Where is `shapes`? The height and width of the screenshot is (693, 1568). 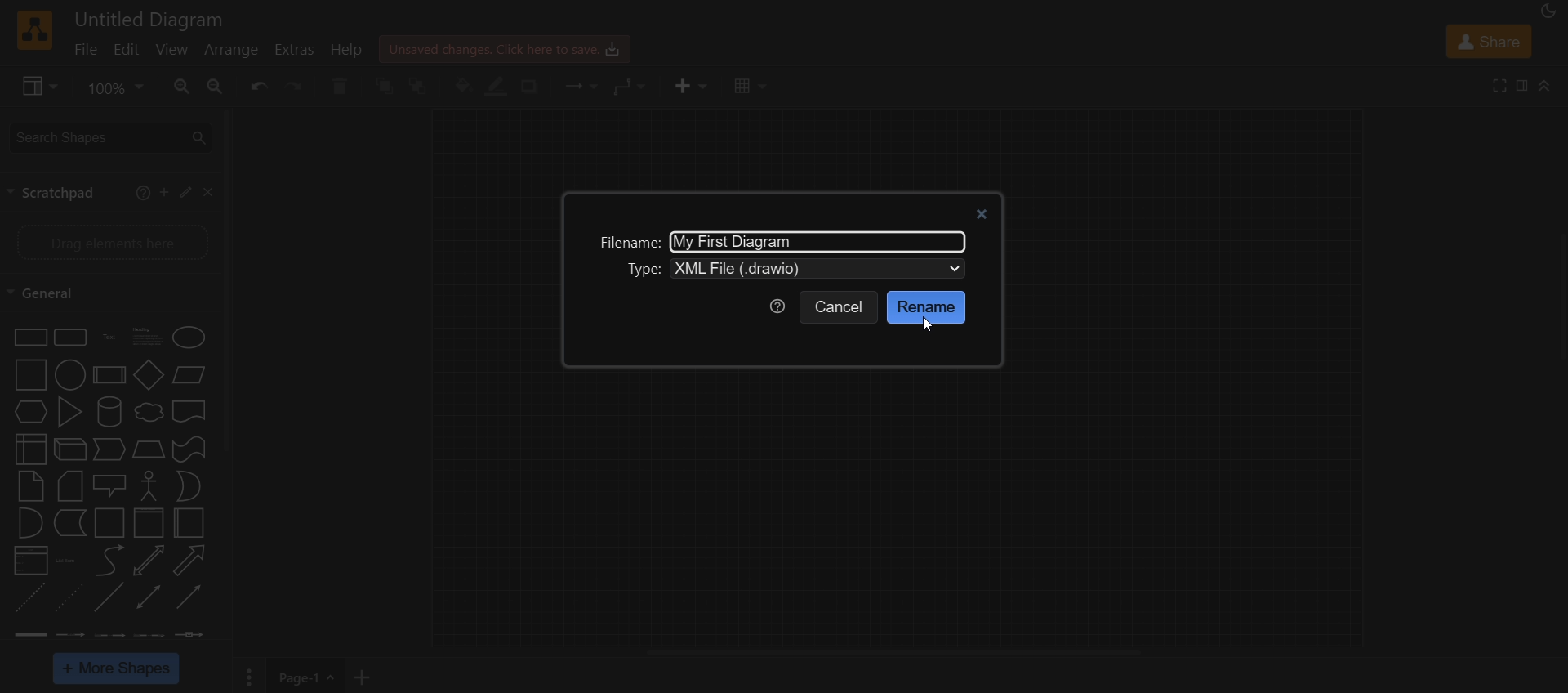
shapes is located at coordinates (106, 485).